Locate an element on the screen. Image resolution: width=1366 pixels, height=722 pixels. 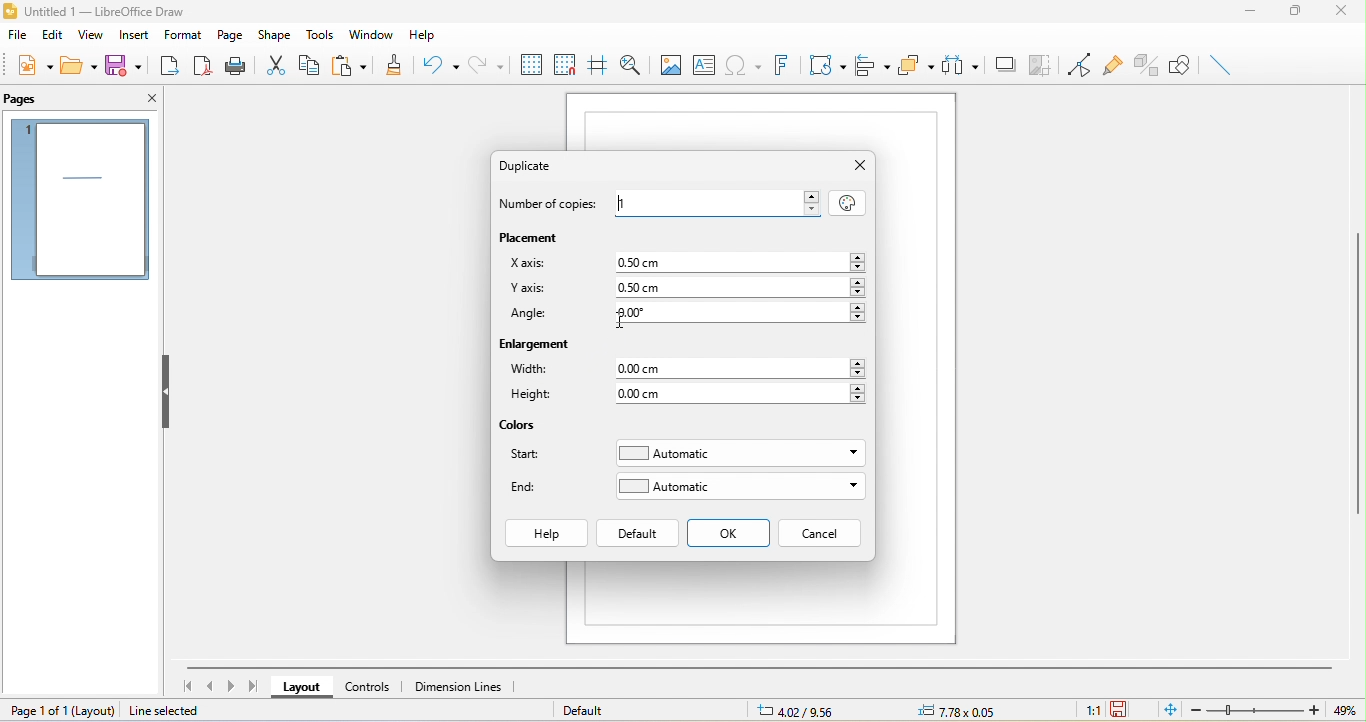
help is located at coordinates (430, 36).